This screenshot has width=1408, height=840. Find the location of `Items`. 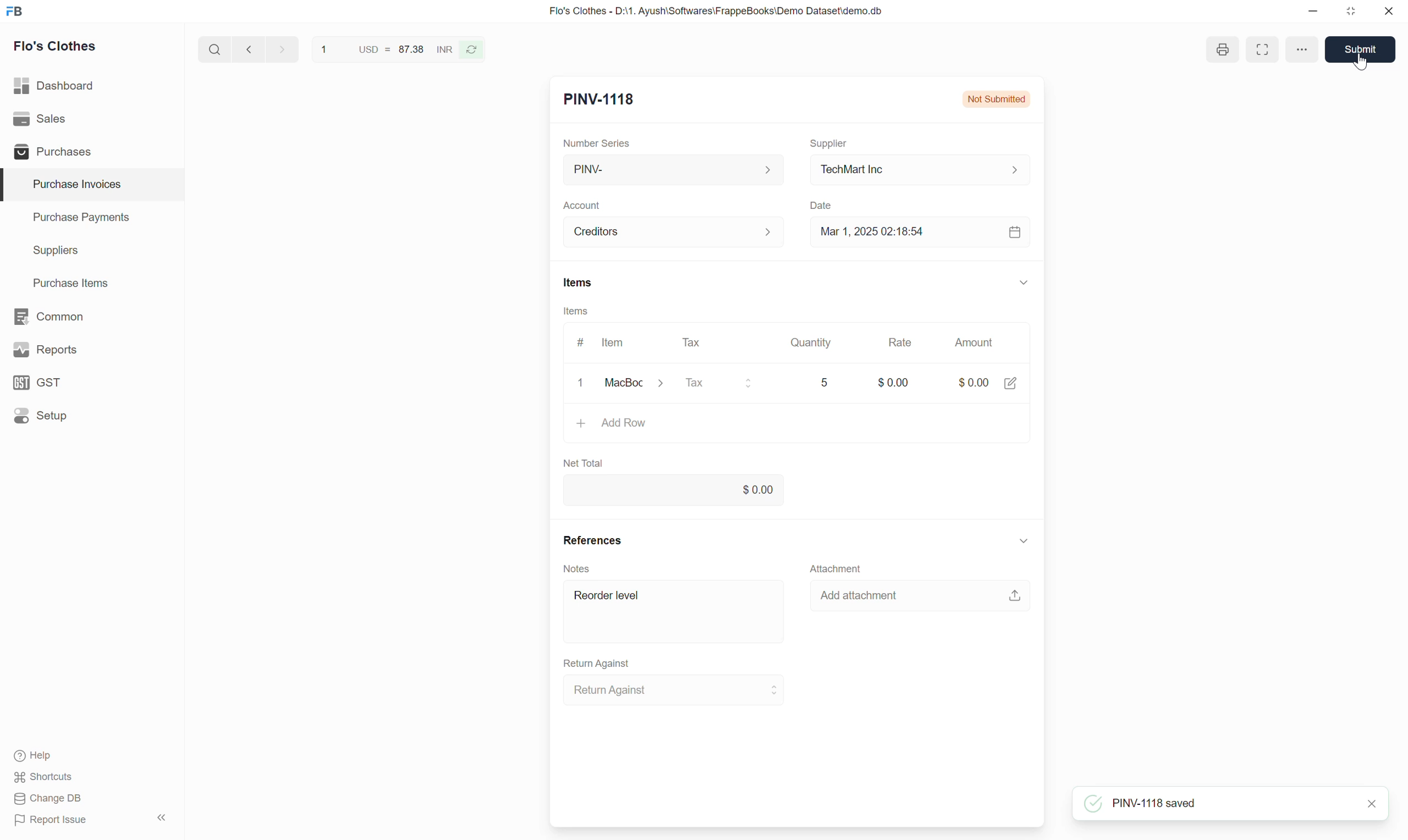

Items is located at coordinates (576, 311).